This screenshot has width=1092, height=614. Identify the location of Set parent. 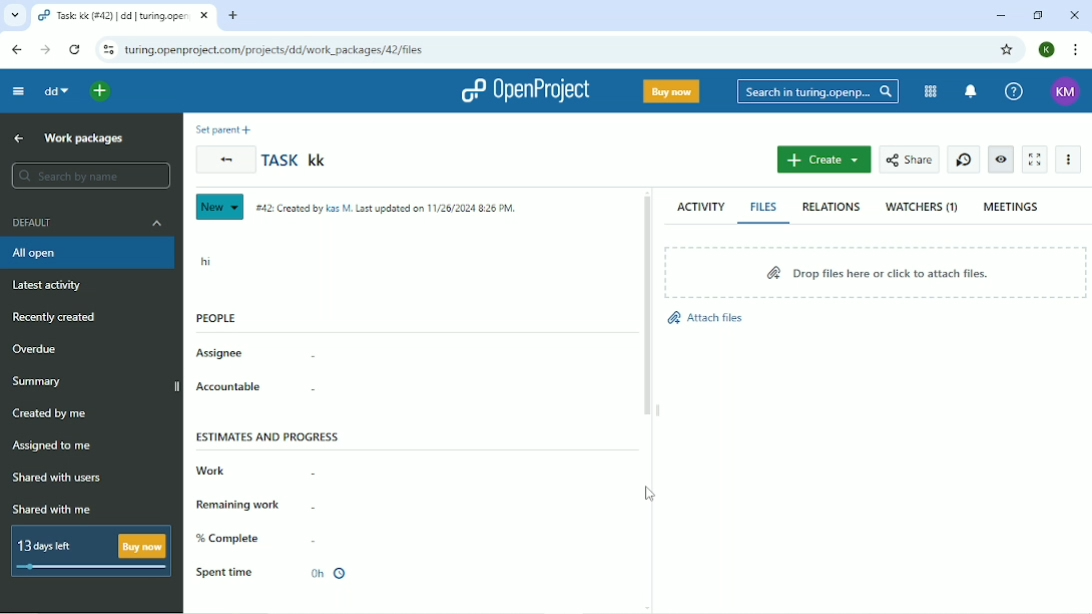
(227, 129).